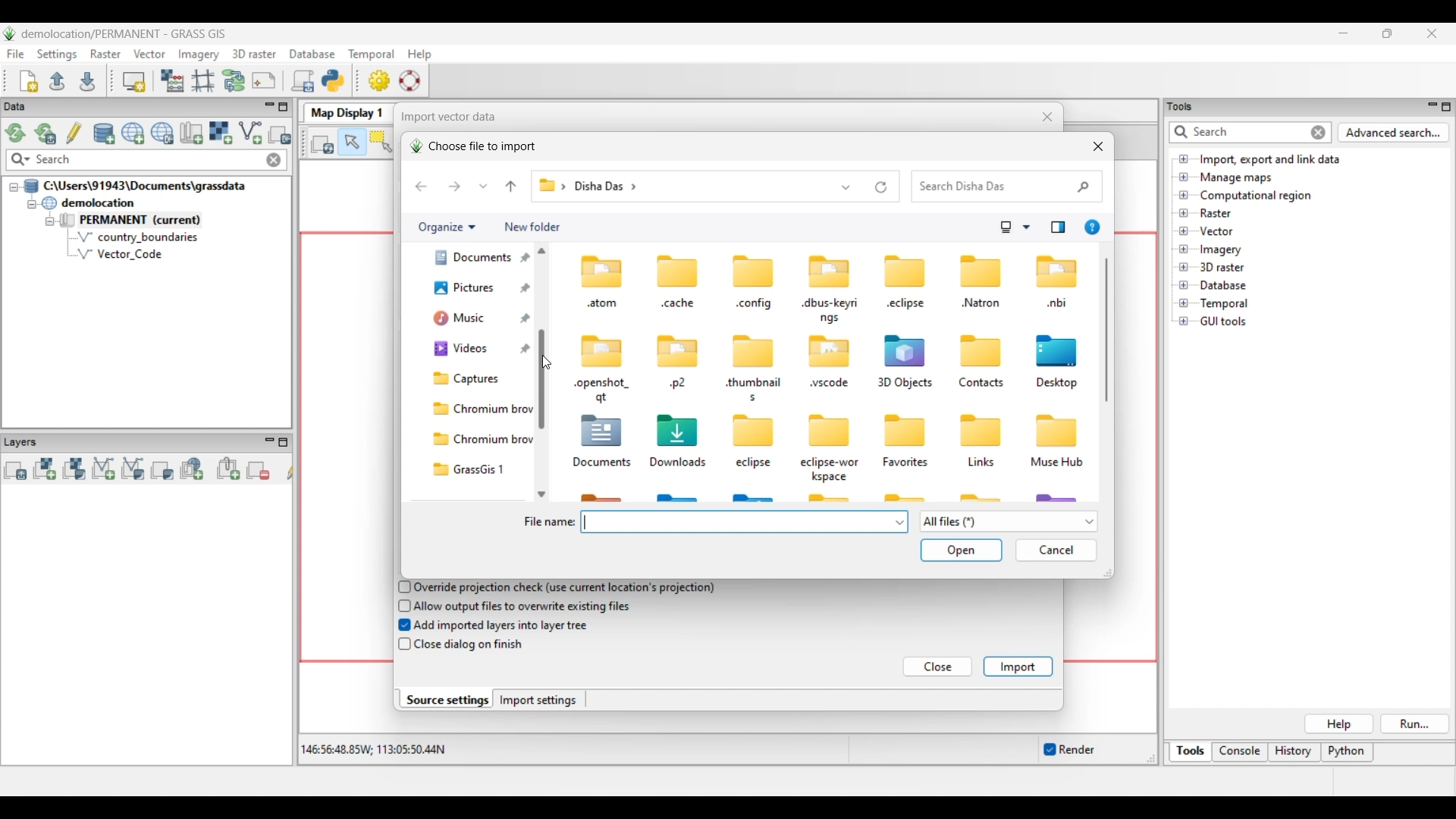  I want to click on Go to the file before current file in file pathway, so click(511, 187).